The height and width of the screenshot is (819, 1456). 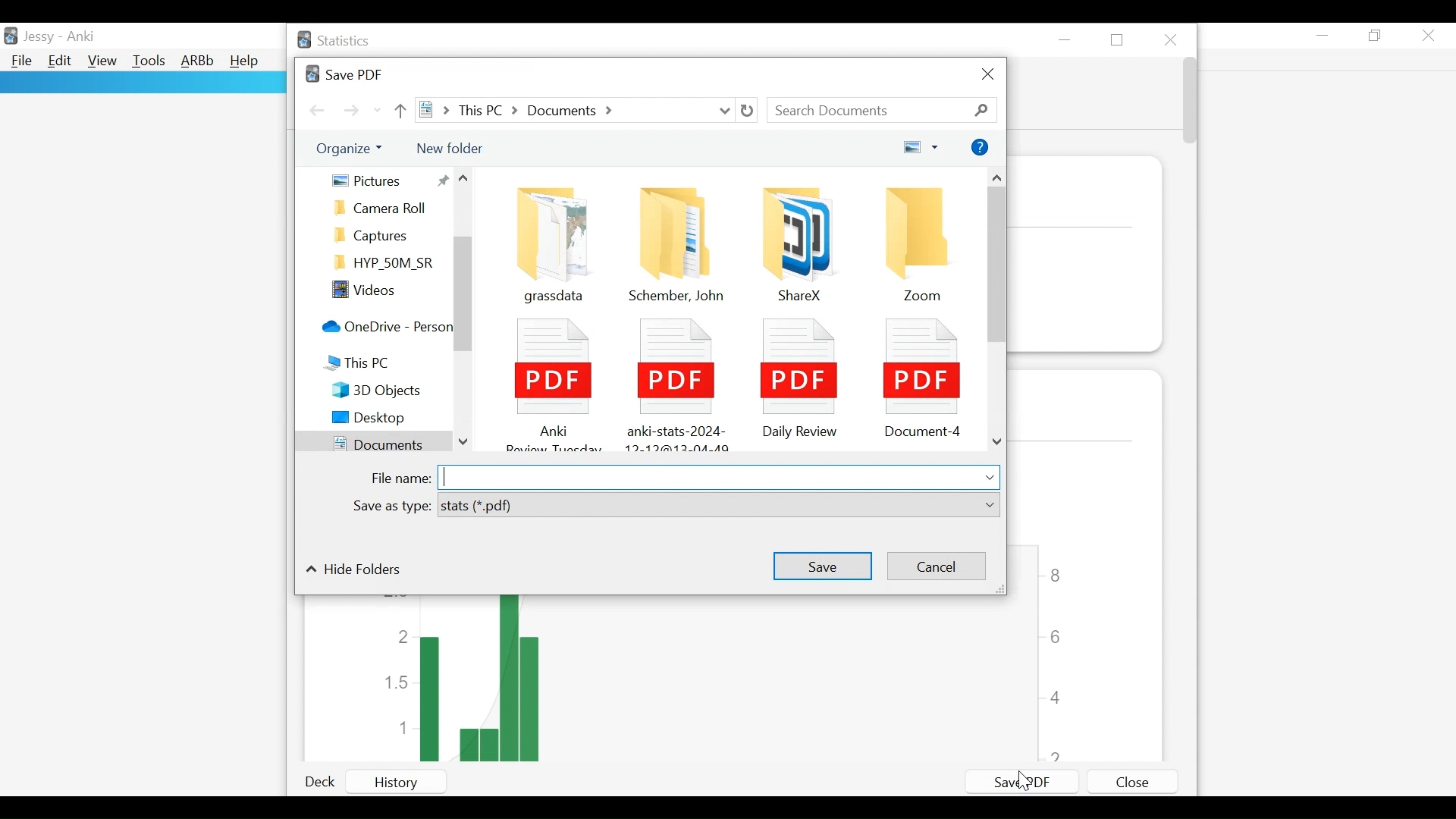 What do you see at coordinates (718, 506) in the screenshot?
I see `Select type` at bounding box center [718, 506].